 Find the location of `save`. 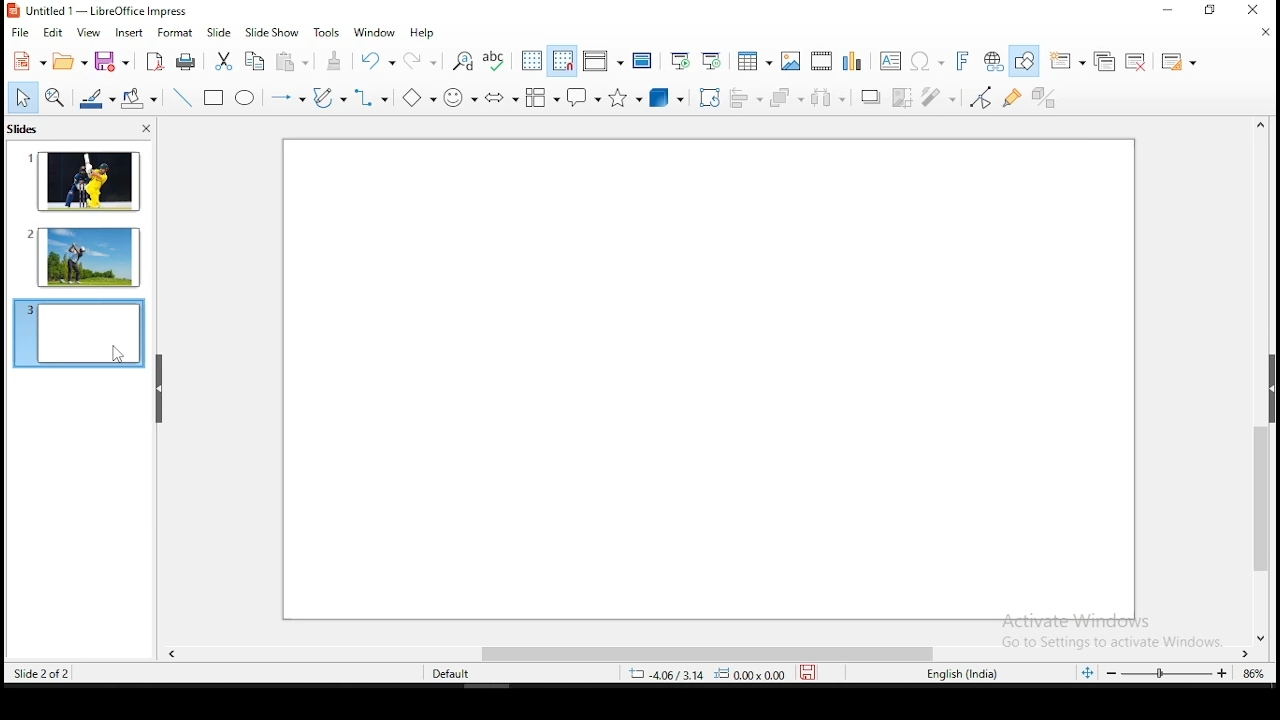

save is located at coordinates (811, 671).